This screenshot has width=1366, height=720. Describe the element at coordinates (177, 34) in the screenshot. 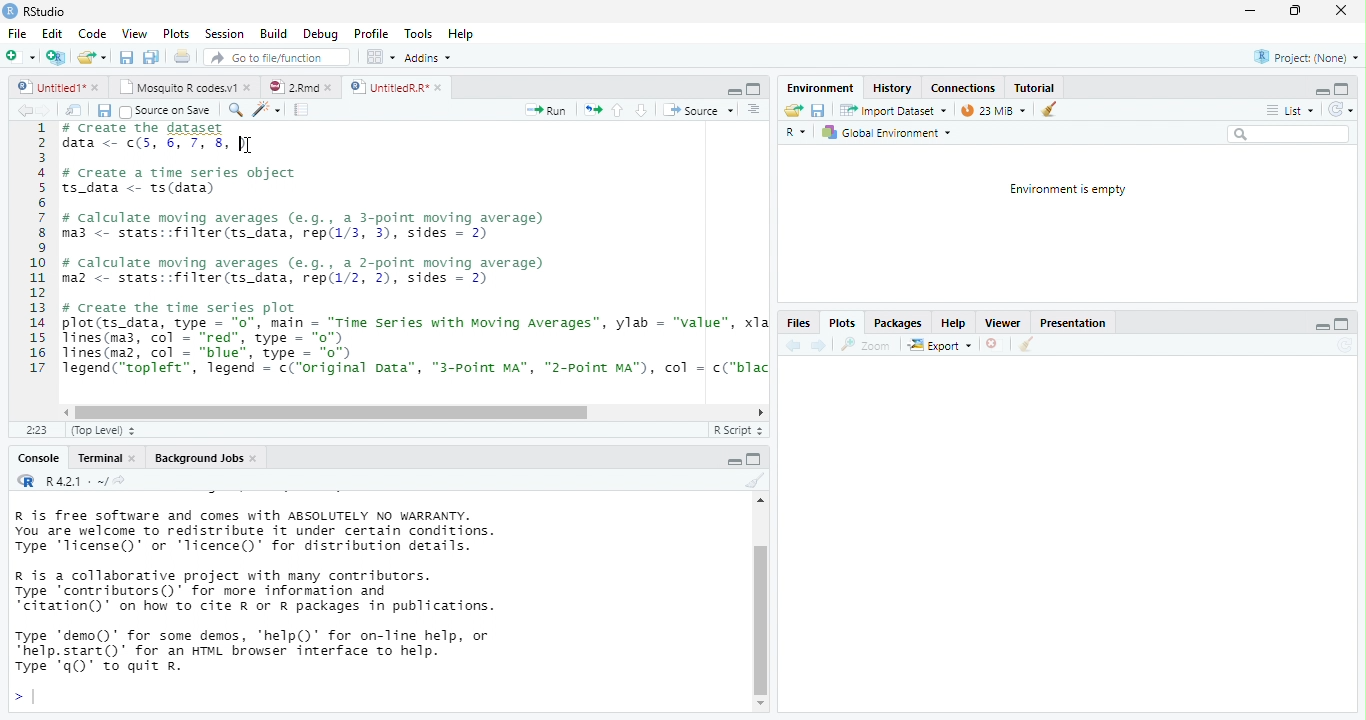

I see `Plots` at that location.